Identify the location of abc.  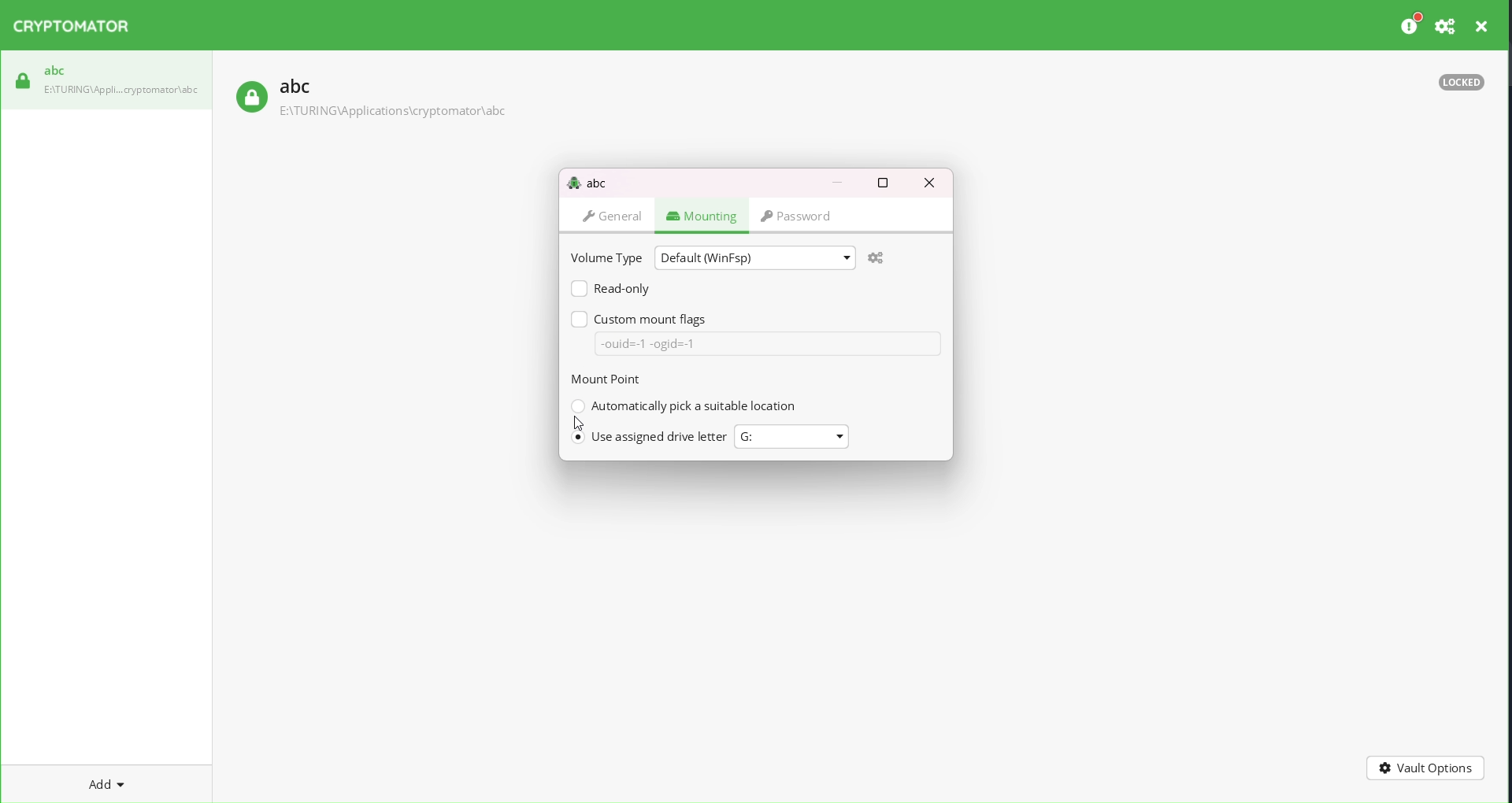
(587, 181).